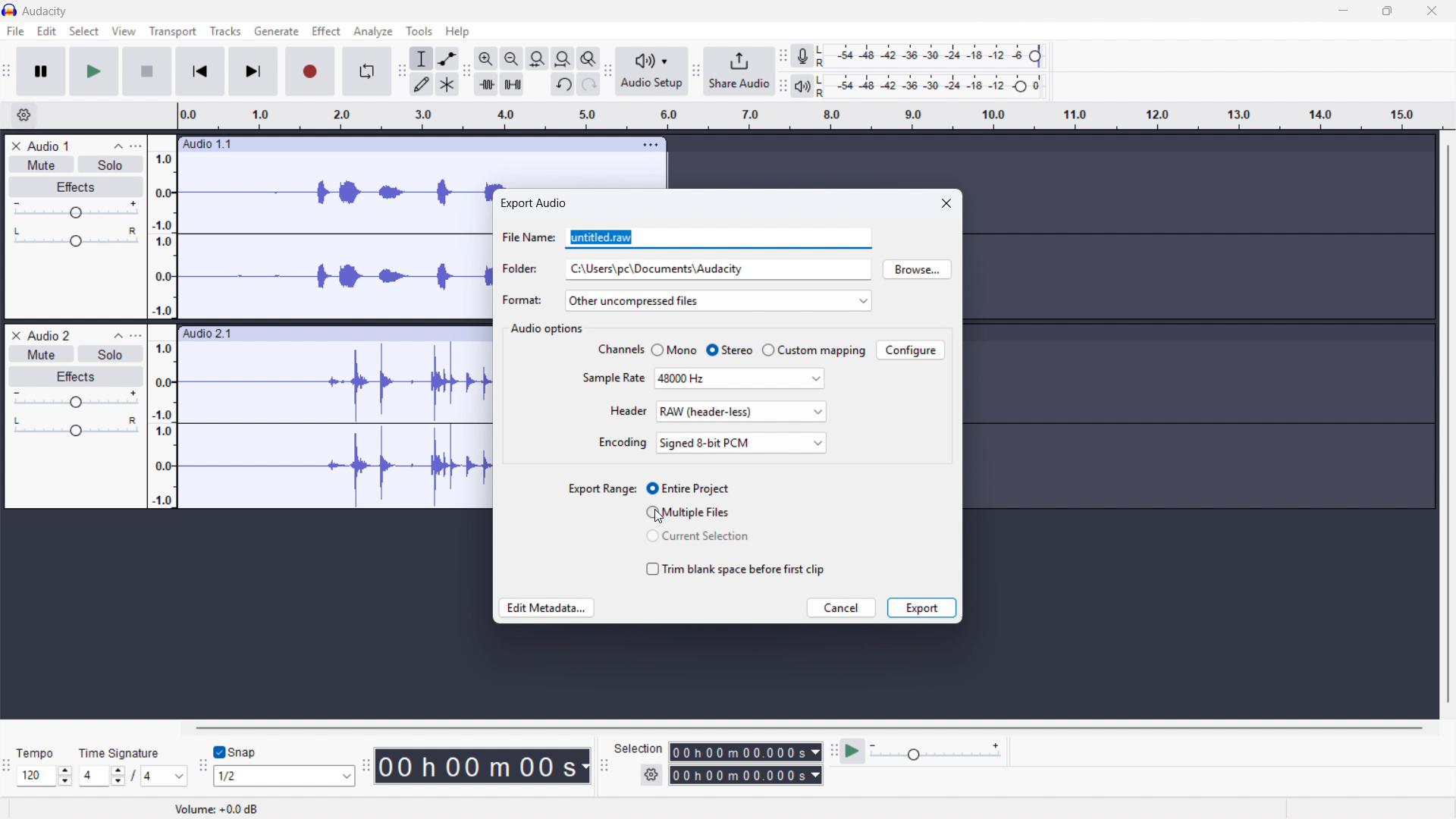 This screenshot has height=819, width=1456. What do you see at coordinates (485, 766) in the screenshot?
I see `Timestamp` at bounding box center [485, 766].